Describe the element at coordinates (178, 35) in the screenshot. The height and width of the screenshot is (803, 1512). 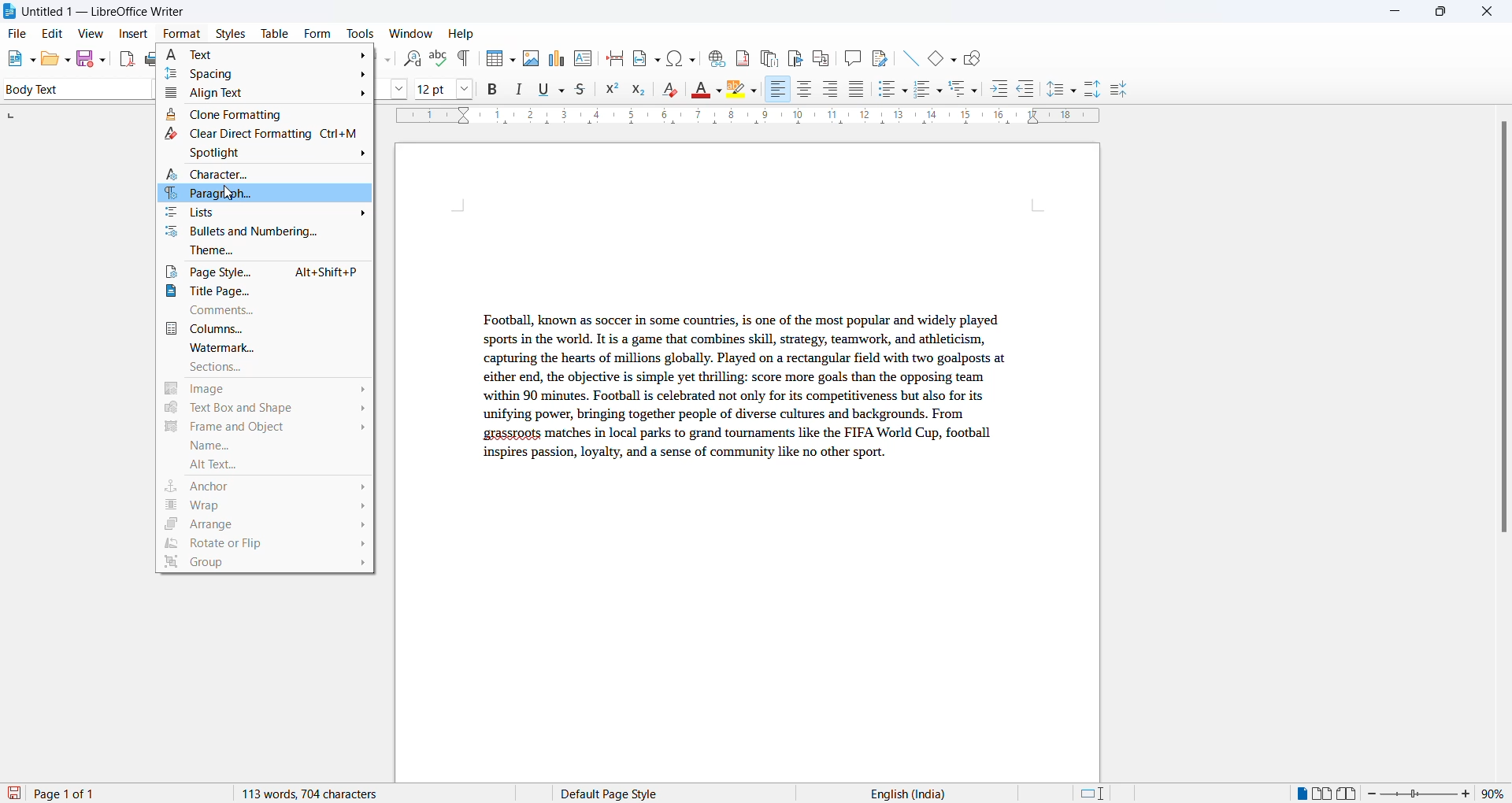
I see `format` at that location.